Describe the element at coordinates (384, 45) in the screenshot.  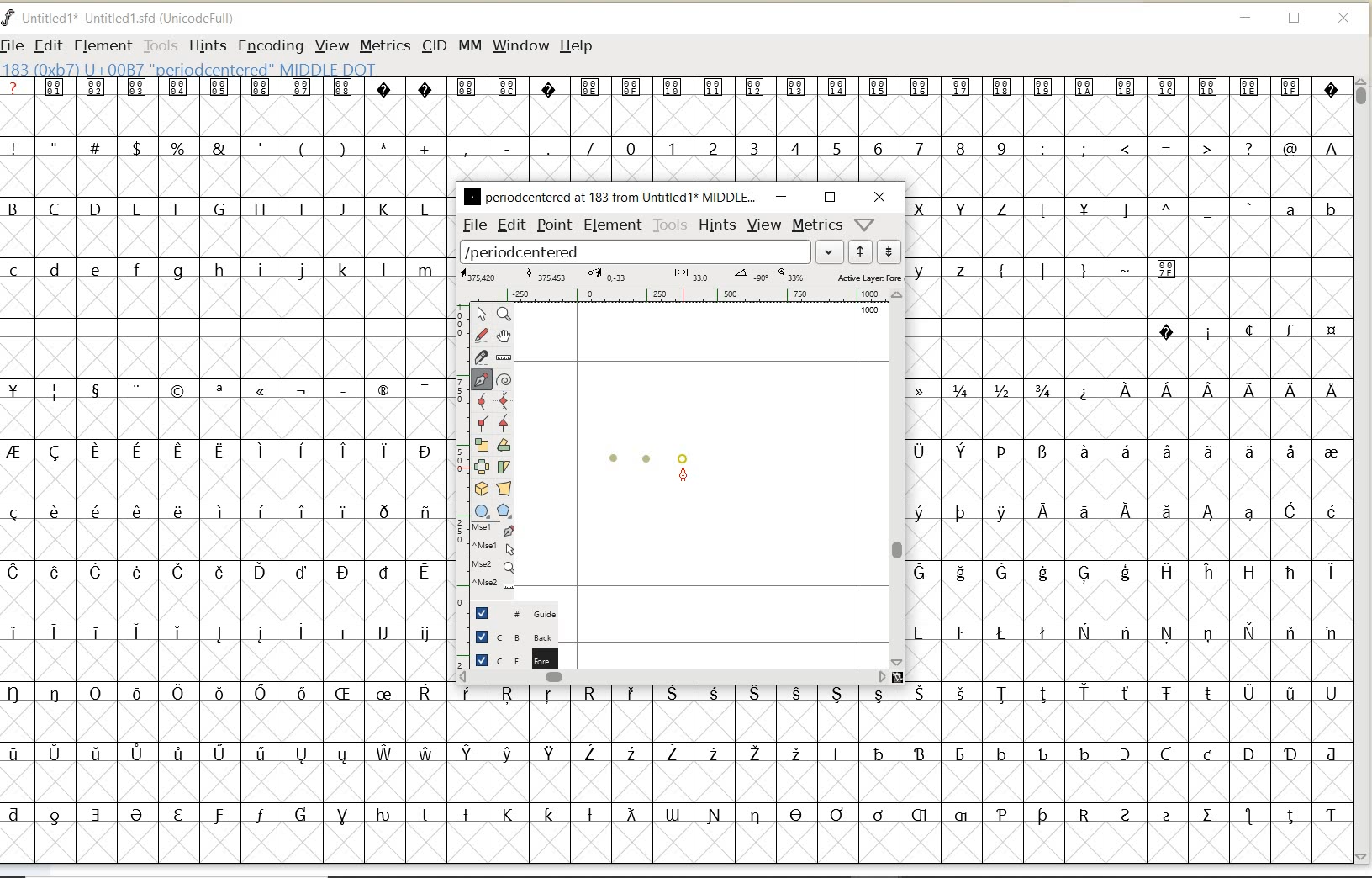
I see `METRICS` at that location.